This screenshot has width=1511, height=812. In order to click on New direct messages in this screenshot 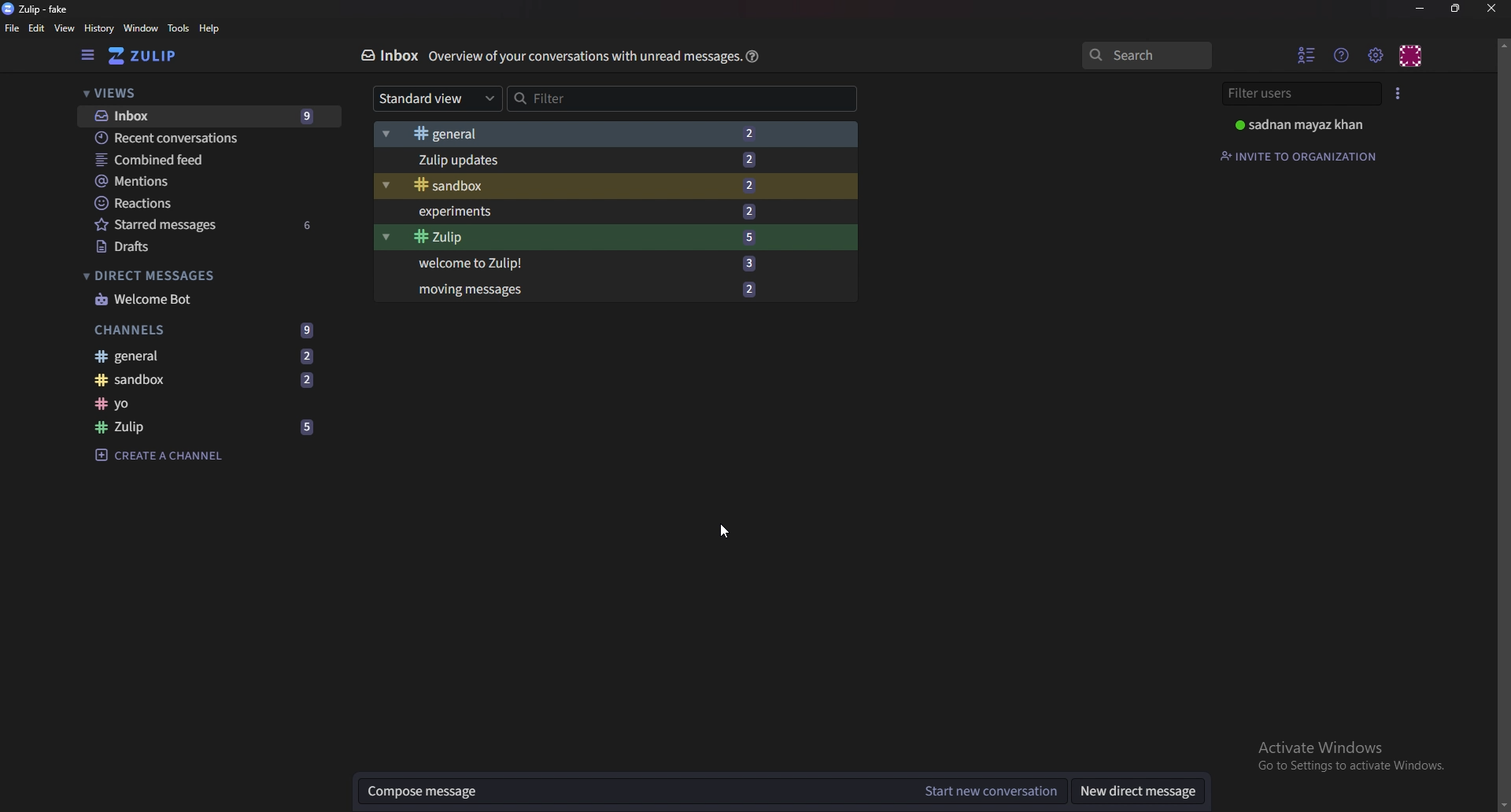, I will do `click(1132, 793)`.